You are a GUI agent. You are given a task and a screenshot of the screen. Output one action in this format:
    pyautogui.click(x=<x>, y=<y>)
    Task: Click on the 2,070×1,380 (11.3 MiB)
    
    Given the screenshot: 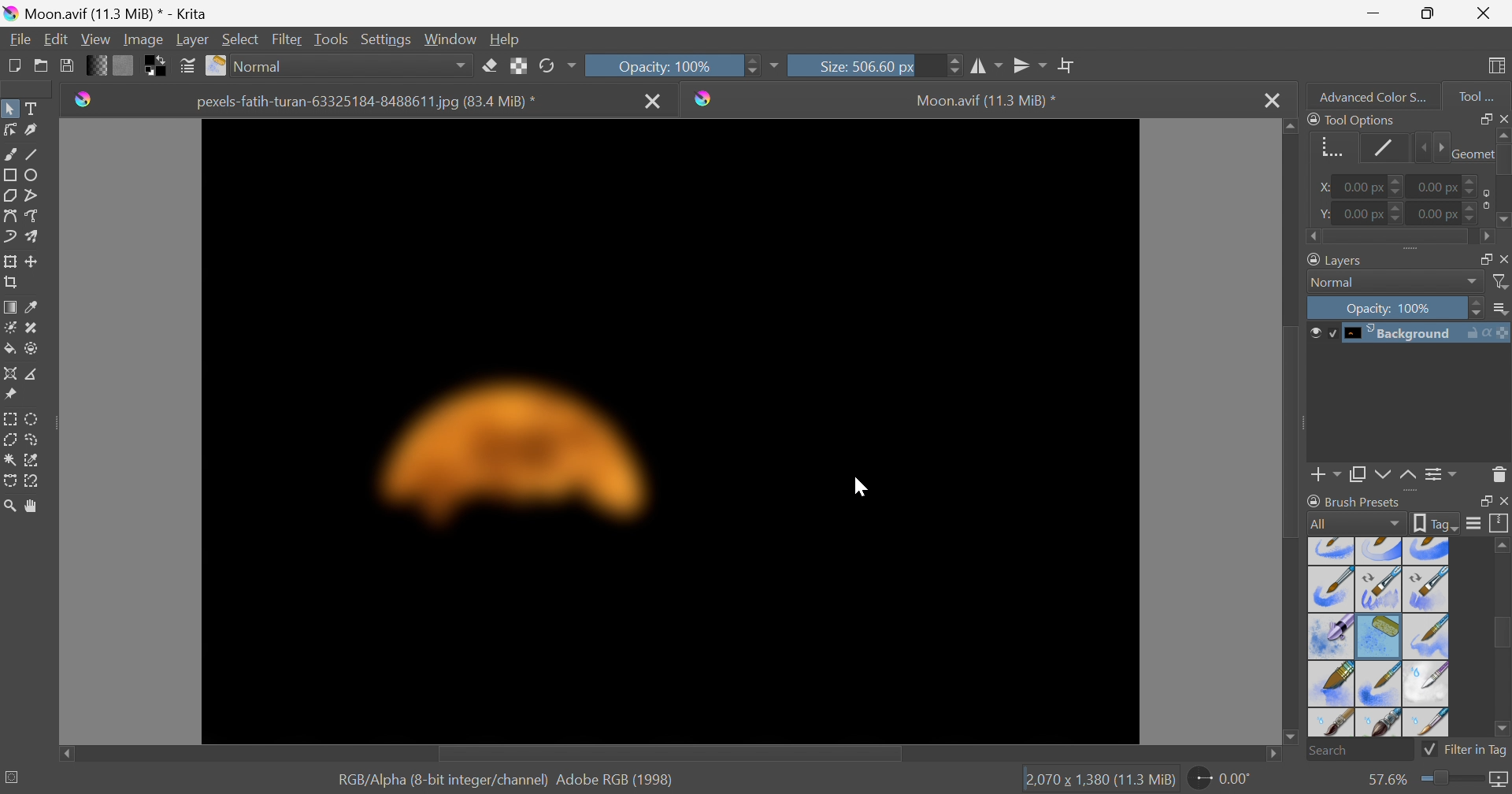 What is the action you would take?
    pyautogui.click(x=1099, y=781)
    